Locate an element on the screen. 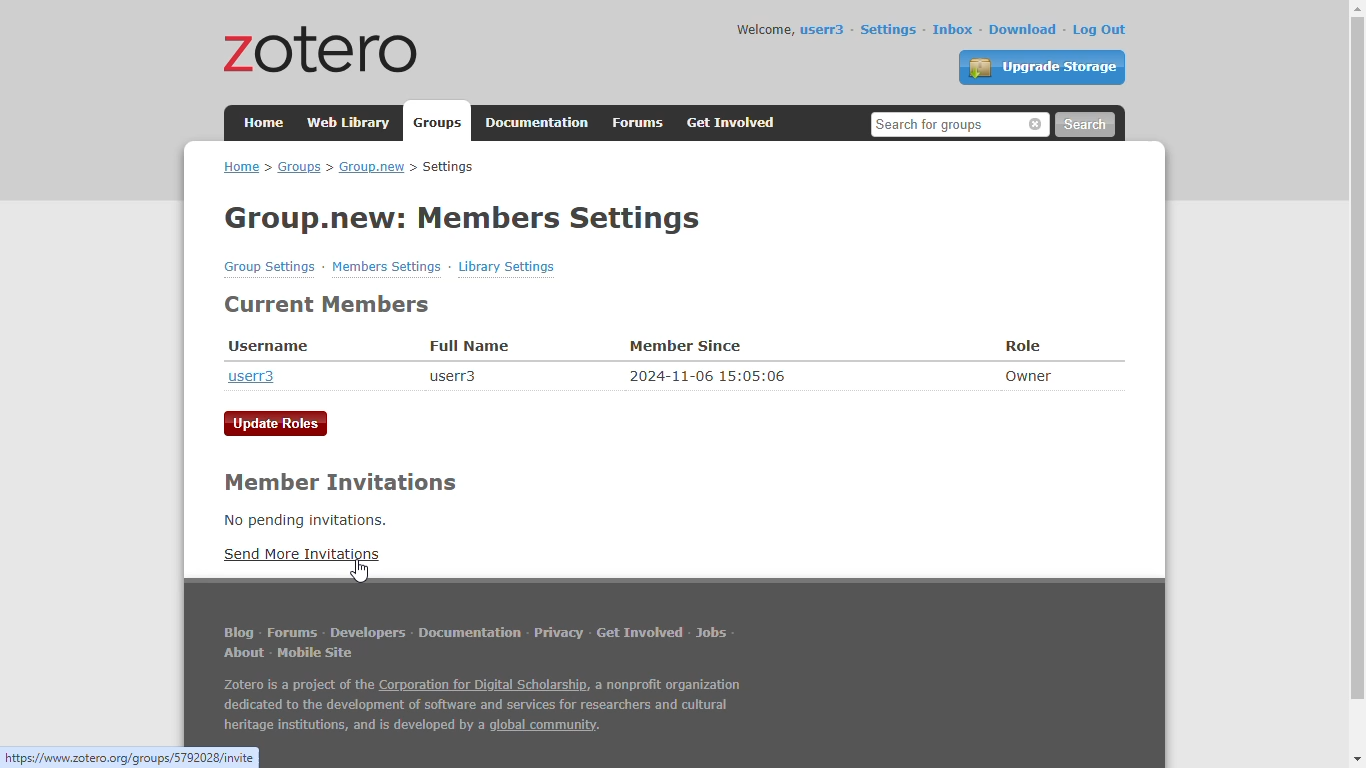 This screenshot has height=768, width=1366. member since is located at coordinates (686, 347).